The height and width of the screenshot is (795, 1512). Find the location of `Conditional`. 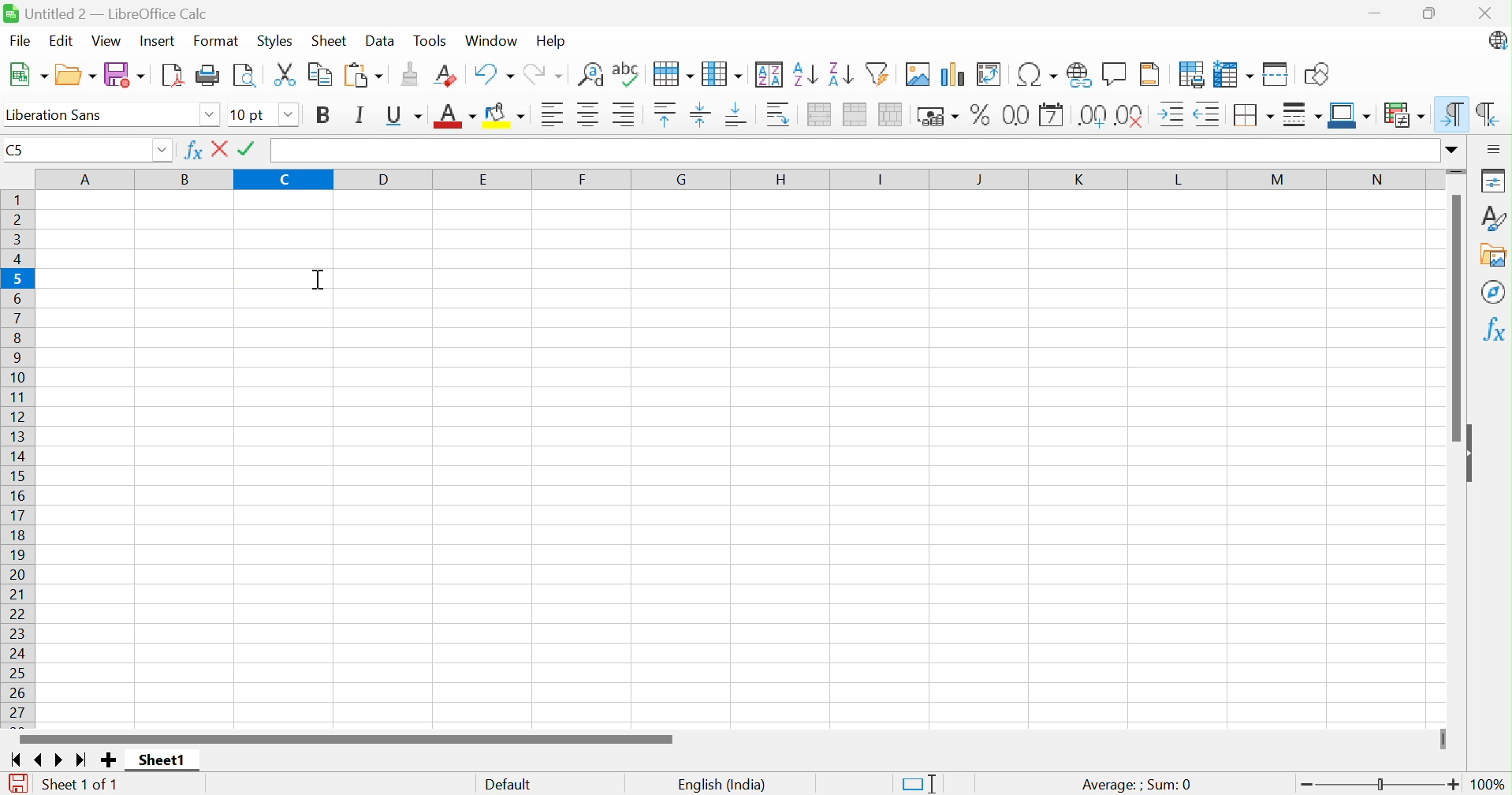

Conditional is located at coordinates (1403, 114).